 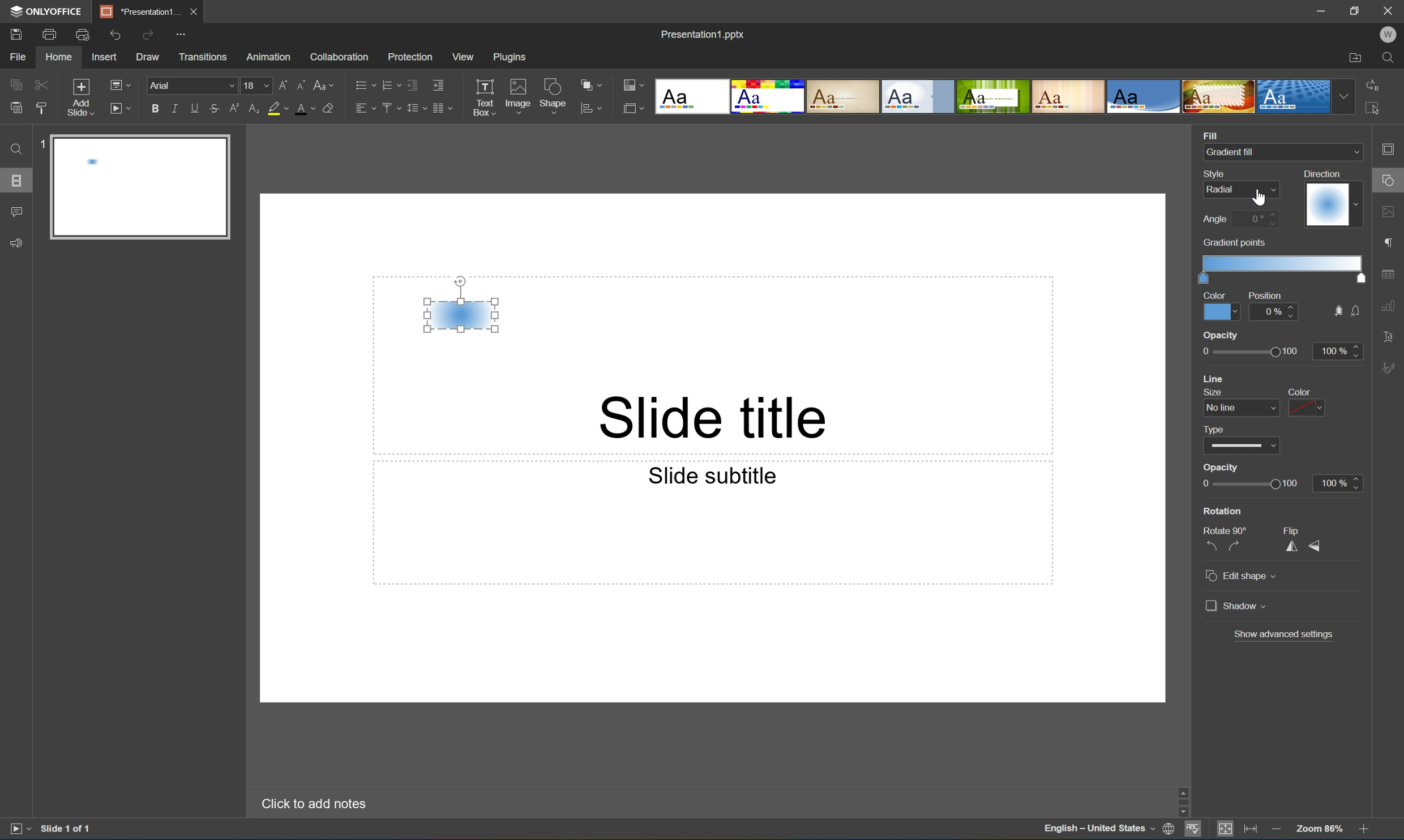 I want to click on 0%, so click(x=1275, y=311).